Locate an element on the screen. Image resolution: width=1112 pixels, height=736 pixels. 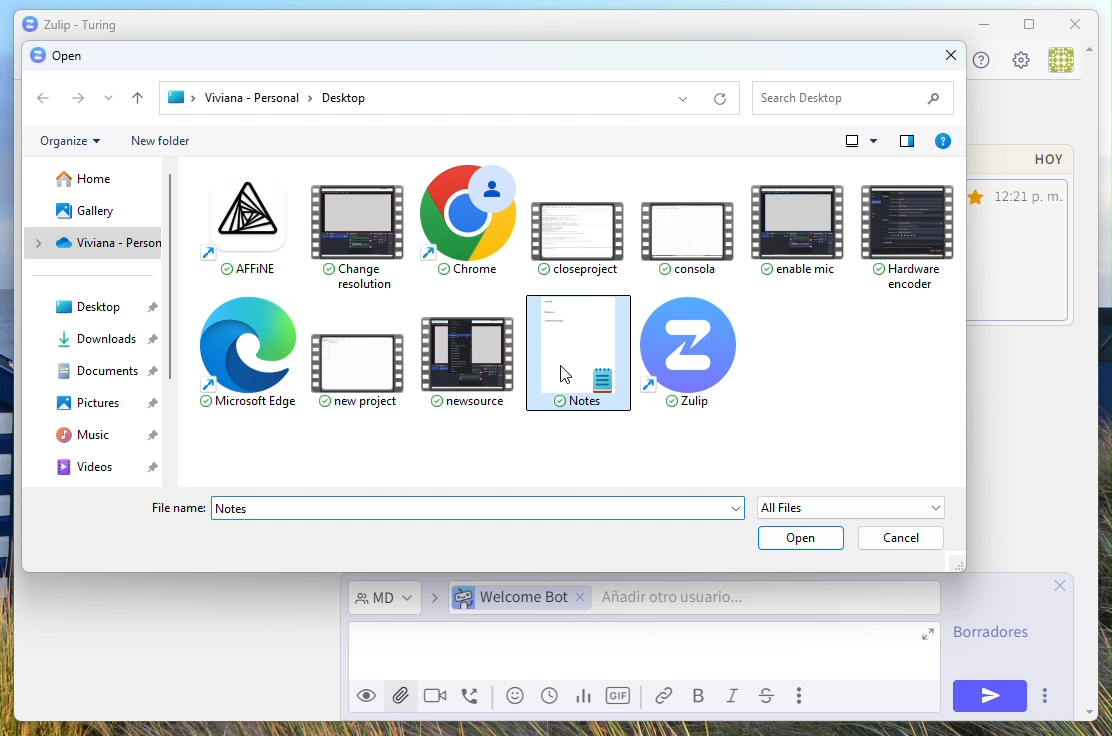
Cancel is located at coordinates (902, 539).